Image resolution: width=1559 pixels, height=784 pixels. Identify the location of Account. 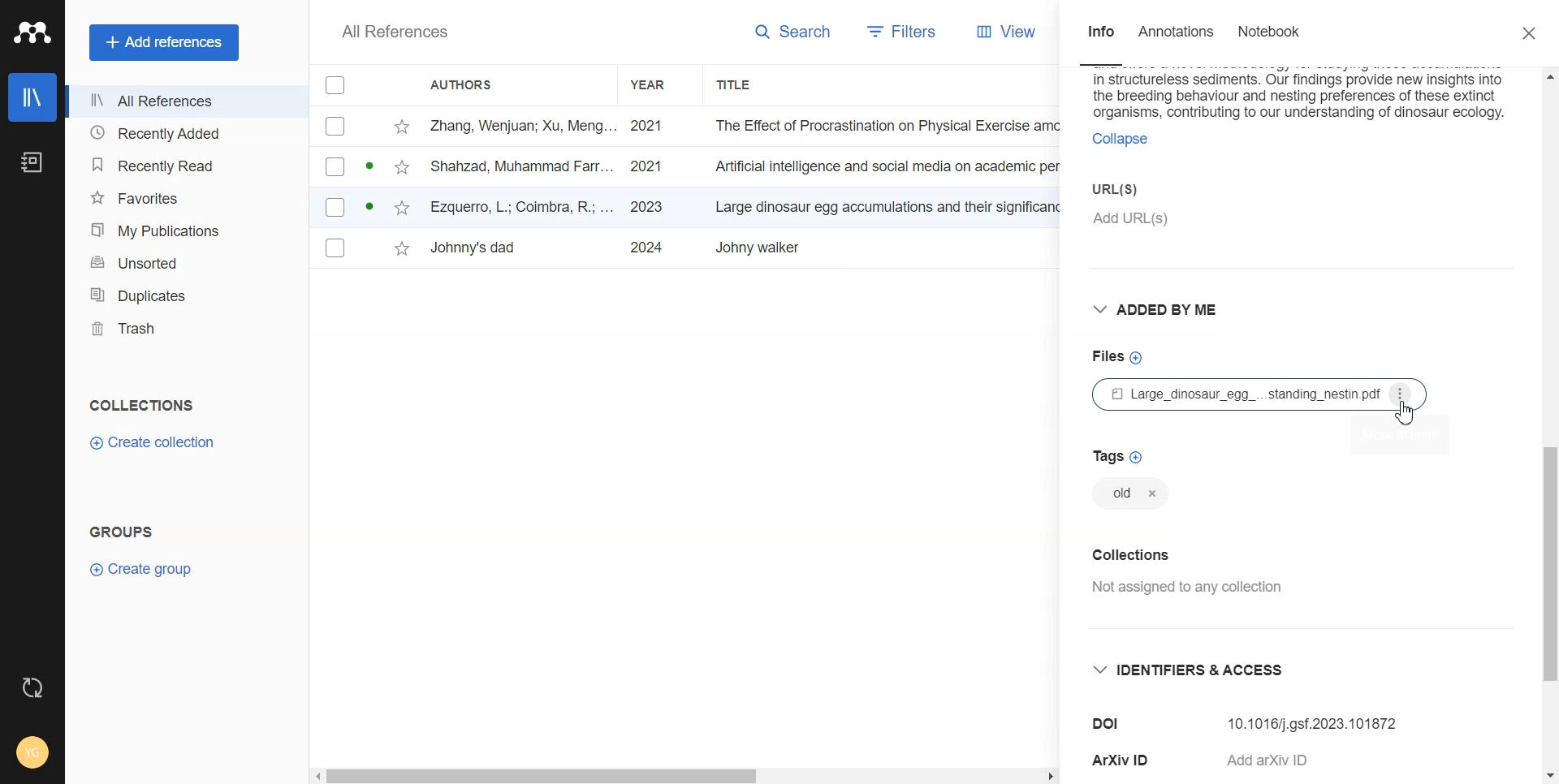
(32, 753).